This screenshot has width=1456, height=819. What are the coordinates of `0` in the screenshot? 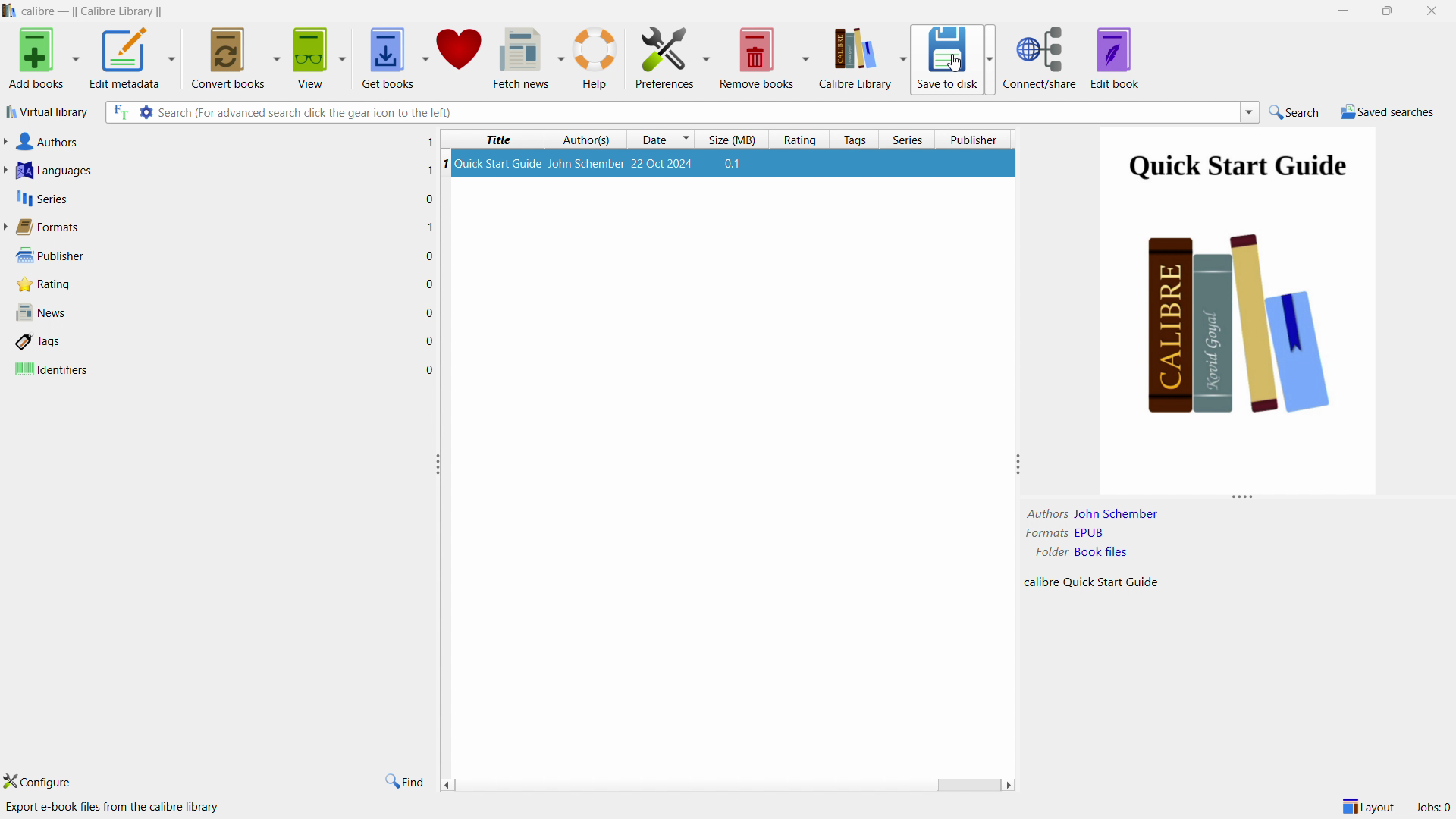 It's located at (428, 311).